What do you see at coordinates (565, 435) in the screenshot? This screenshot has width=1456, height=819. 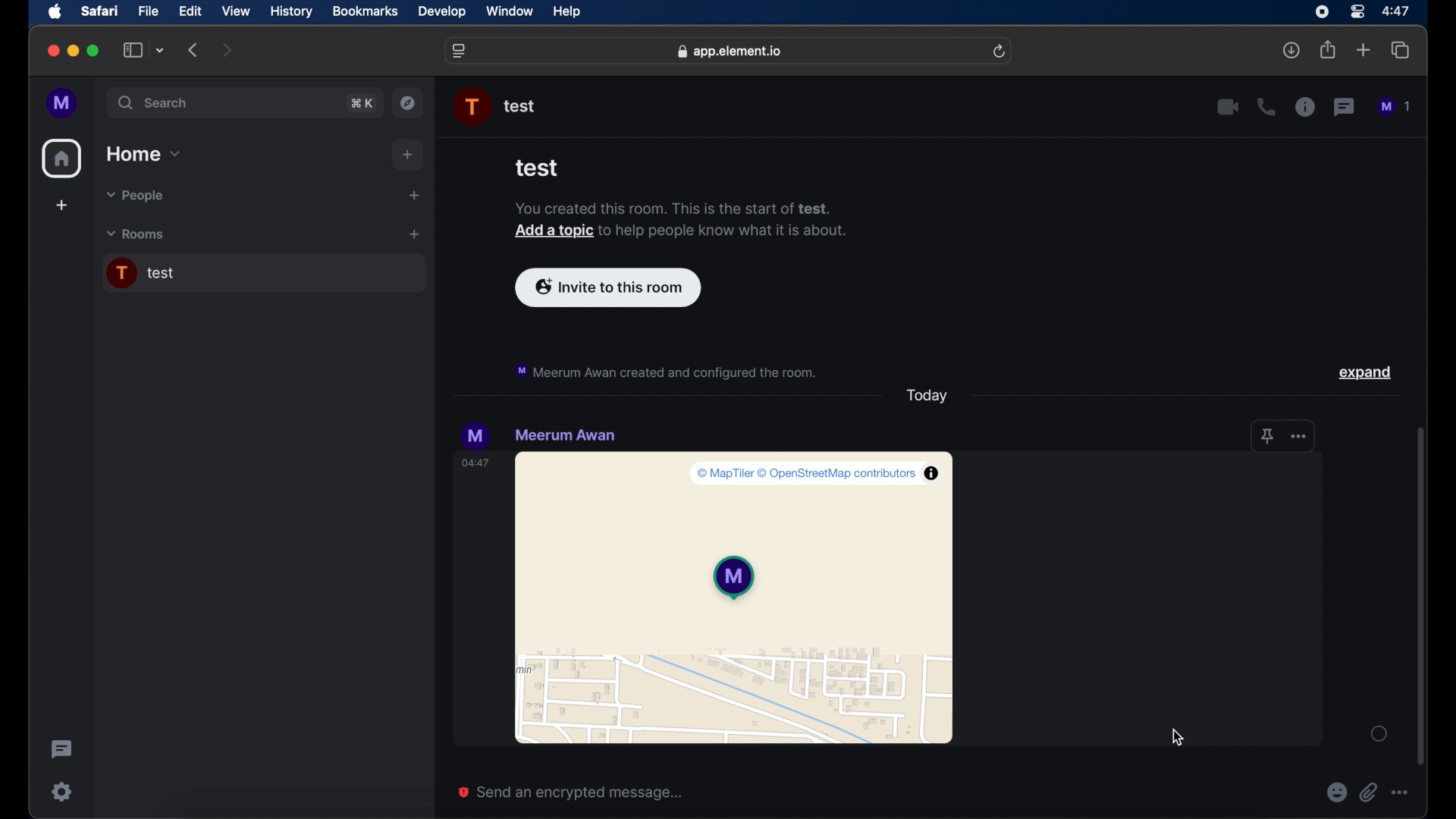 I see `chat name` at bounding box center [565, 435].